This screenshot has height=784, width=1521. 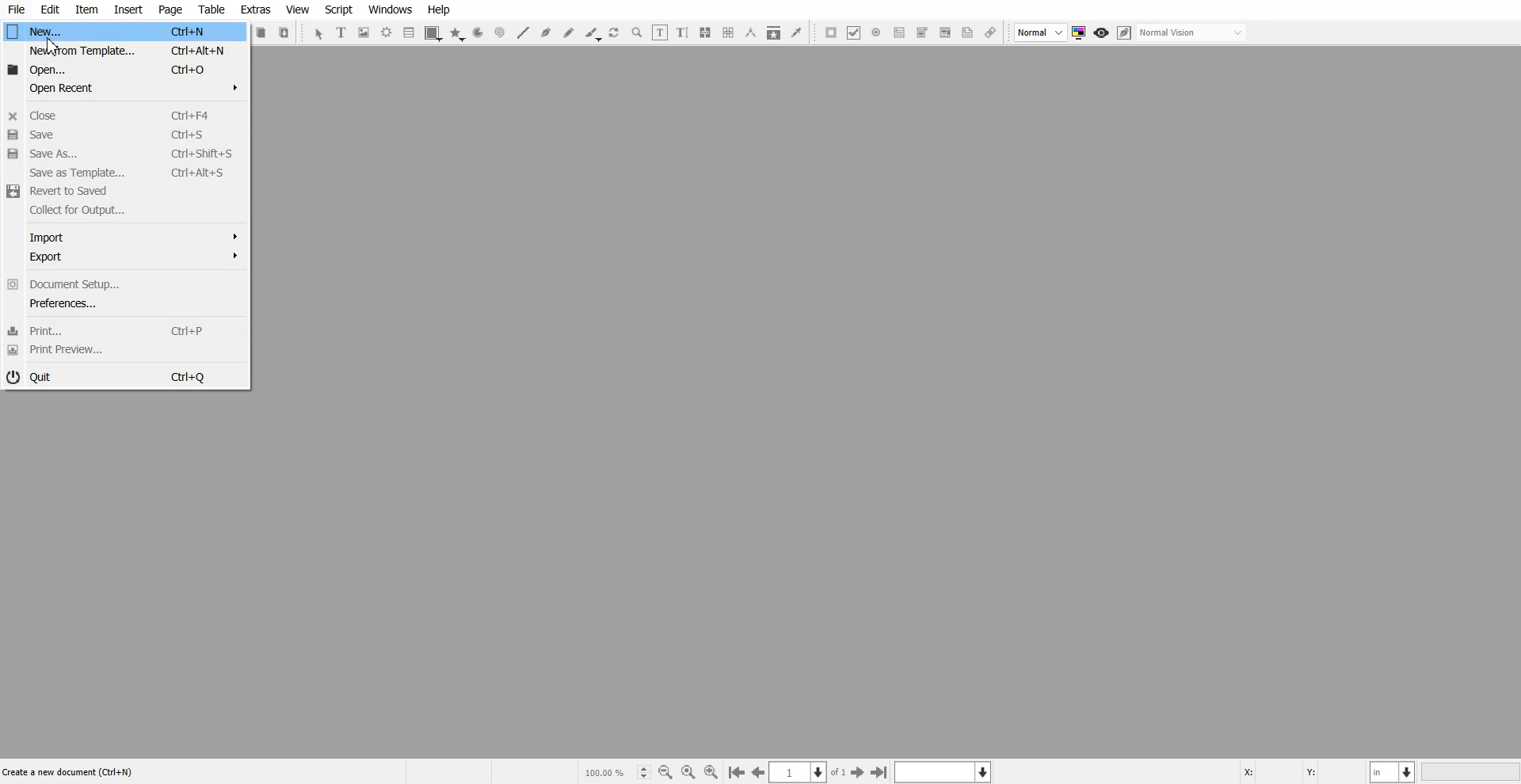 I want to click on PDF Check Box, so click(x=854, y=32).